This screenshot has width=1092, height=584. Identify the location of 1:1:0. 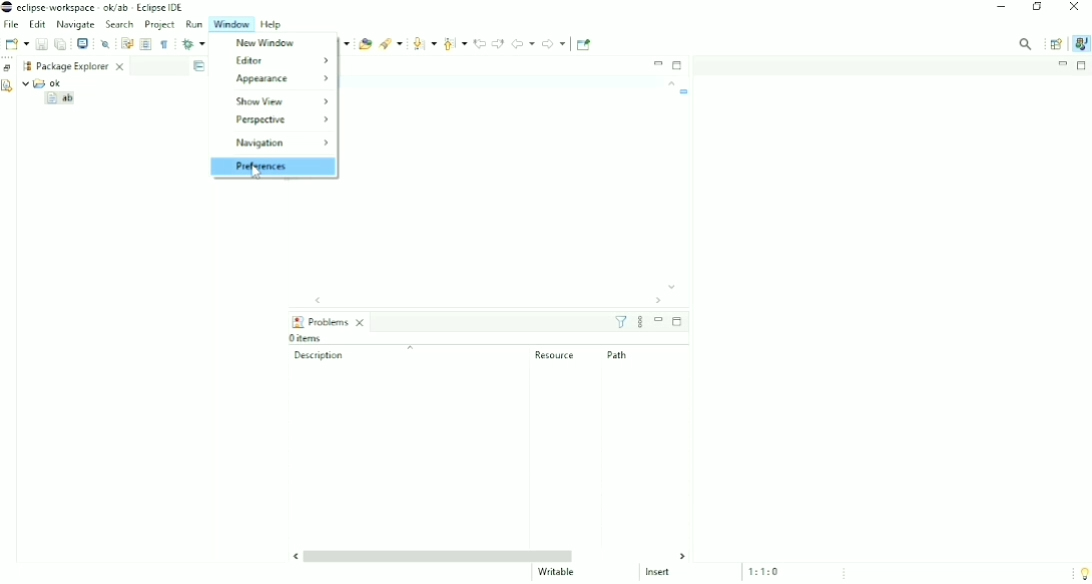
(770, 571).